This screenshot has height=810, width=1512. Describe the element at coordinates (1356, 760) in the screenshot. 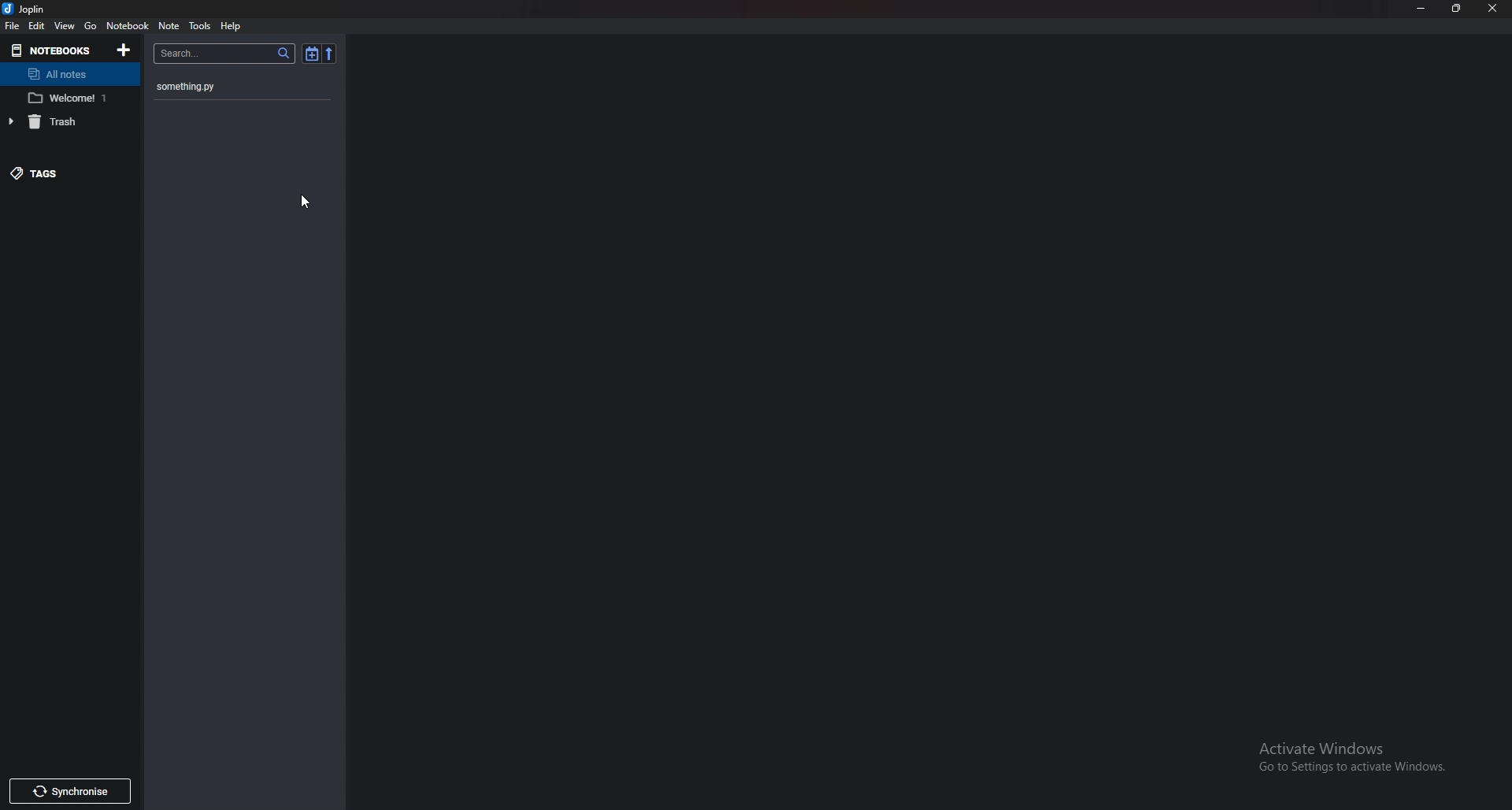

I see `activate windows` at that location.